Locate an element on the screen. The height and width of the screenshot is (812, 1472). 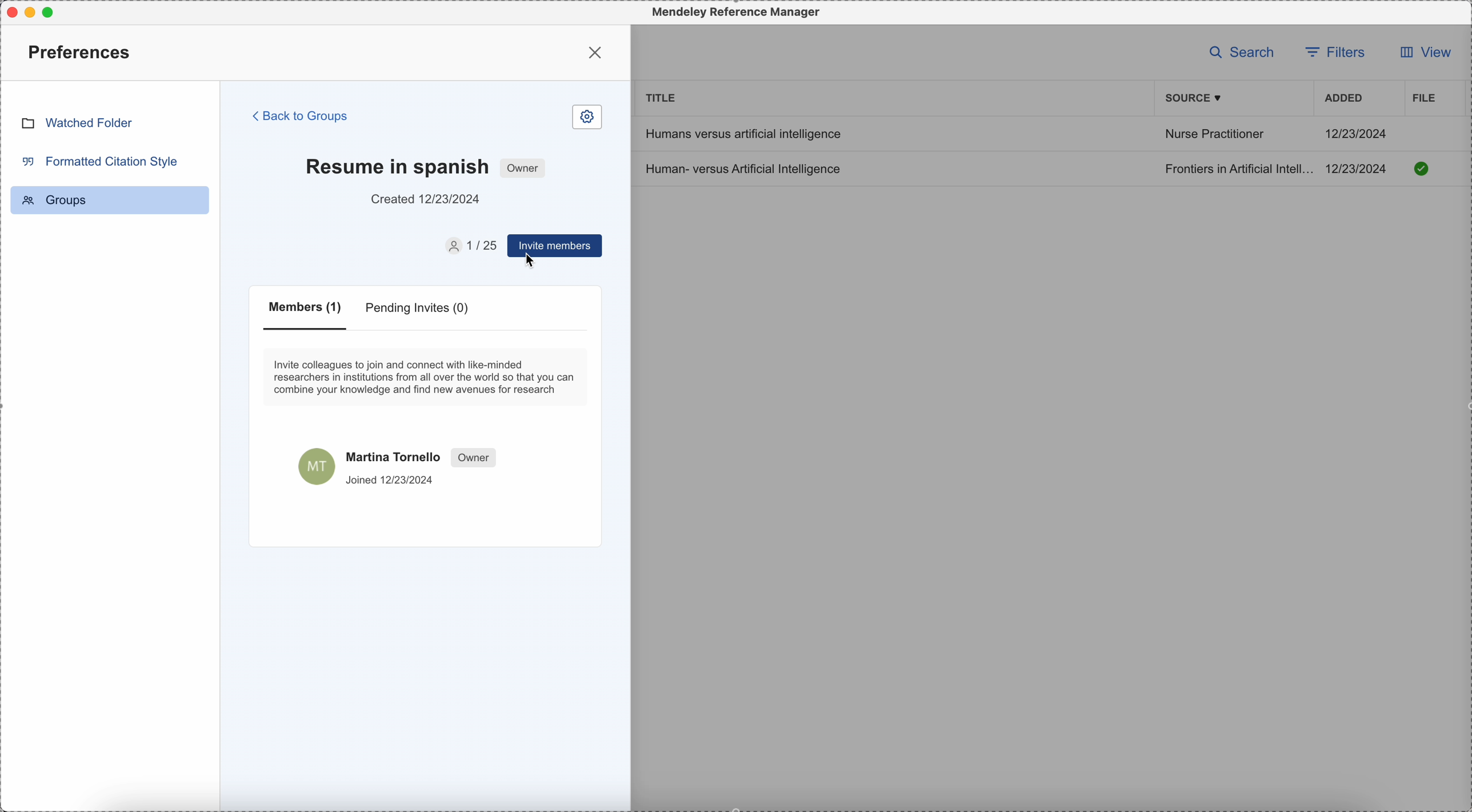
invite members is located at coordinates (554, 247).